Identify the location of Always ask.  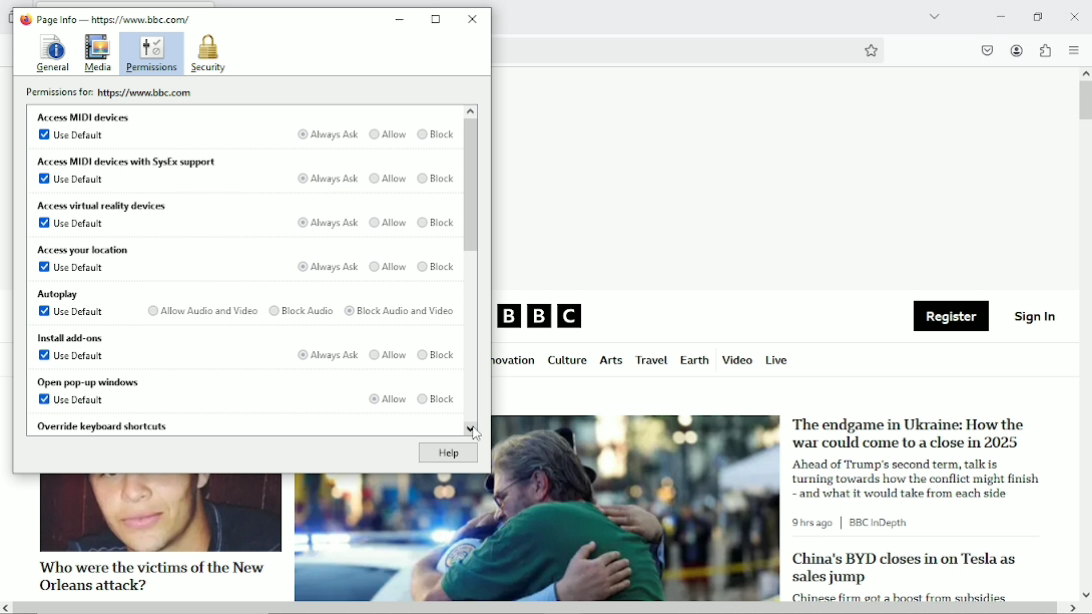
(328, 133).